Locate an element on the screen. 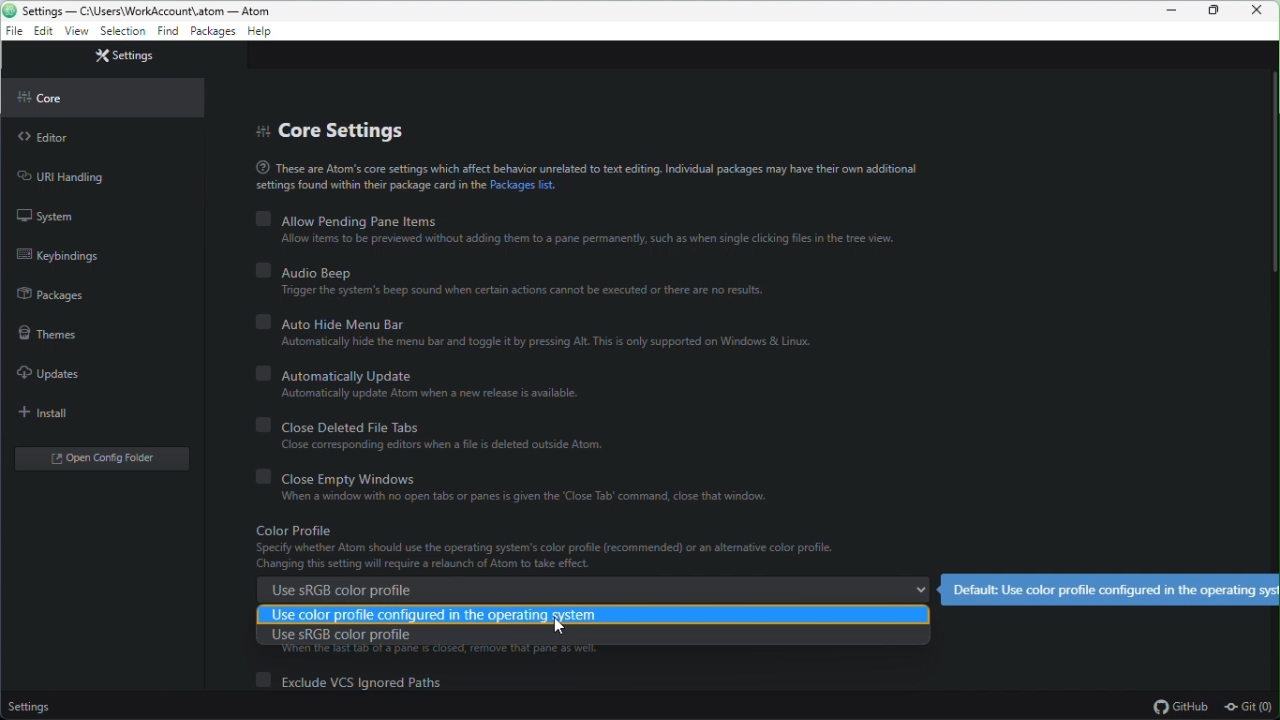 Image resolution: width=1280 pixels, height=720 pixels. Packages is located at coordinates (212, 33).